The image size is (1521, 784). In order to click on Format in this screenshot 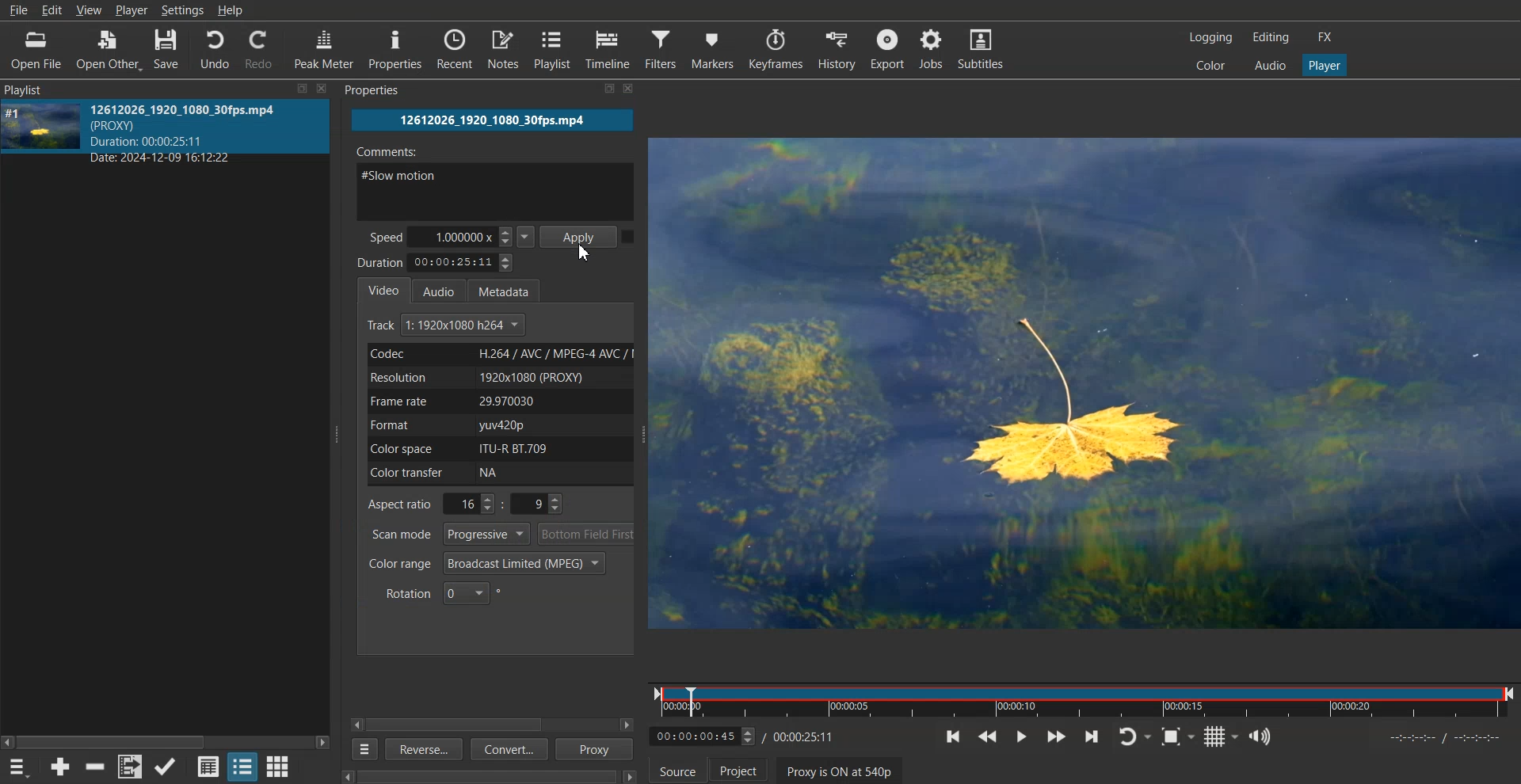, I will do `click(497, 425)`.